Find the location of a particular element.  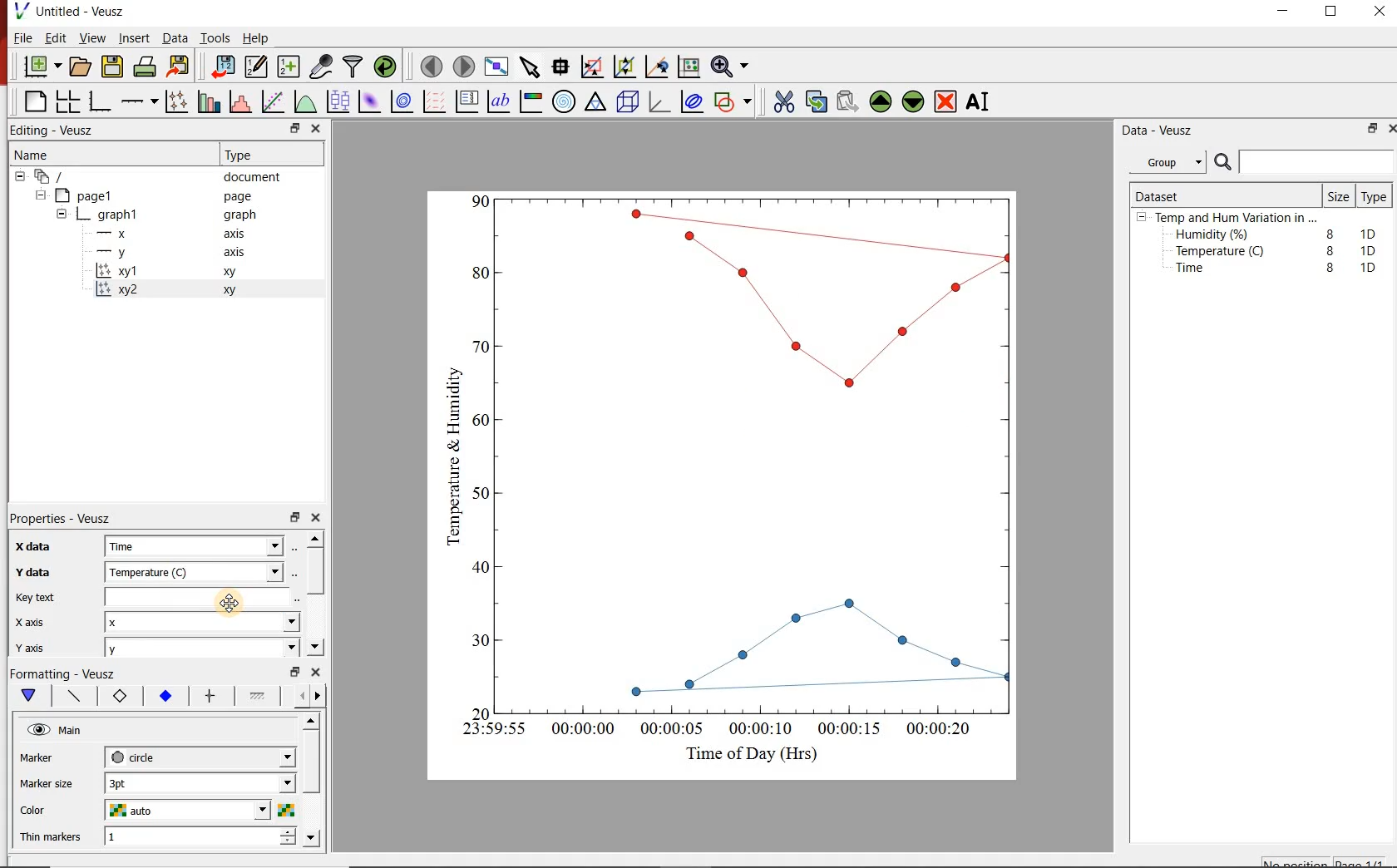

reload linked datasets is located at coordinates (385, 67).